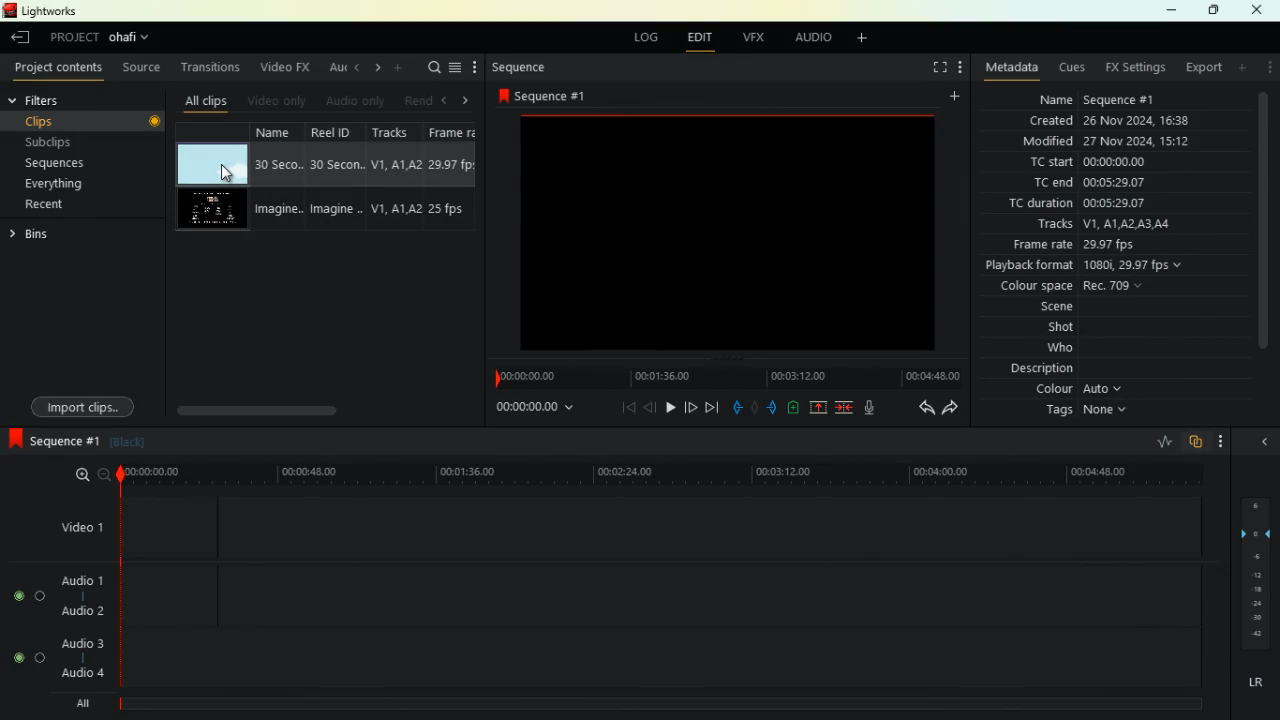 The width and height of the screenshot is (1280, 720). I want to click on project contents, so click(59, 67).